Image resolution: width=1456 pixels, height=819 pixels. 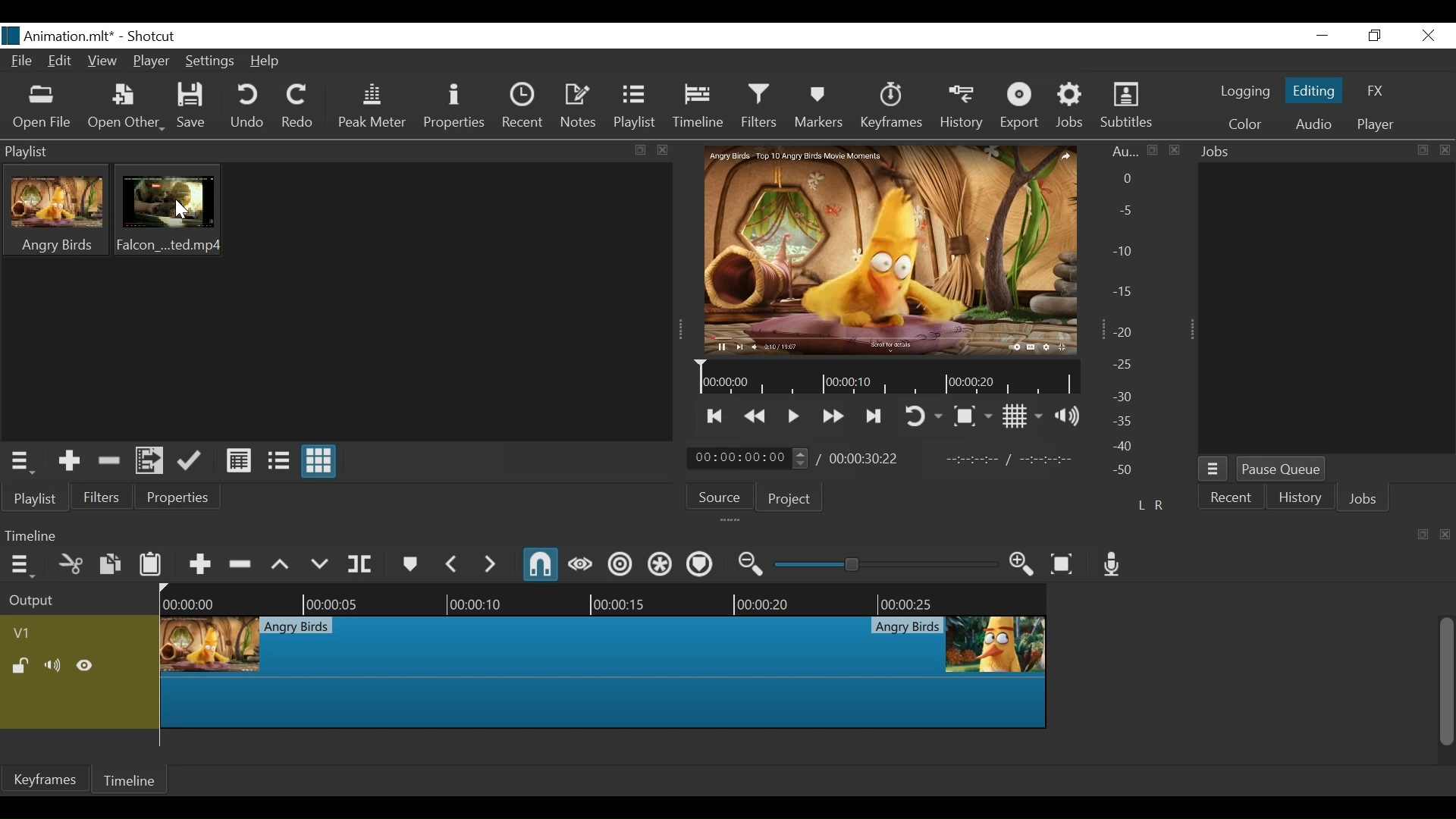 I want to click on Subtitles, so click(x=1129, y=105).